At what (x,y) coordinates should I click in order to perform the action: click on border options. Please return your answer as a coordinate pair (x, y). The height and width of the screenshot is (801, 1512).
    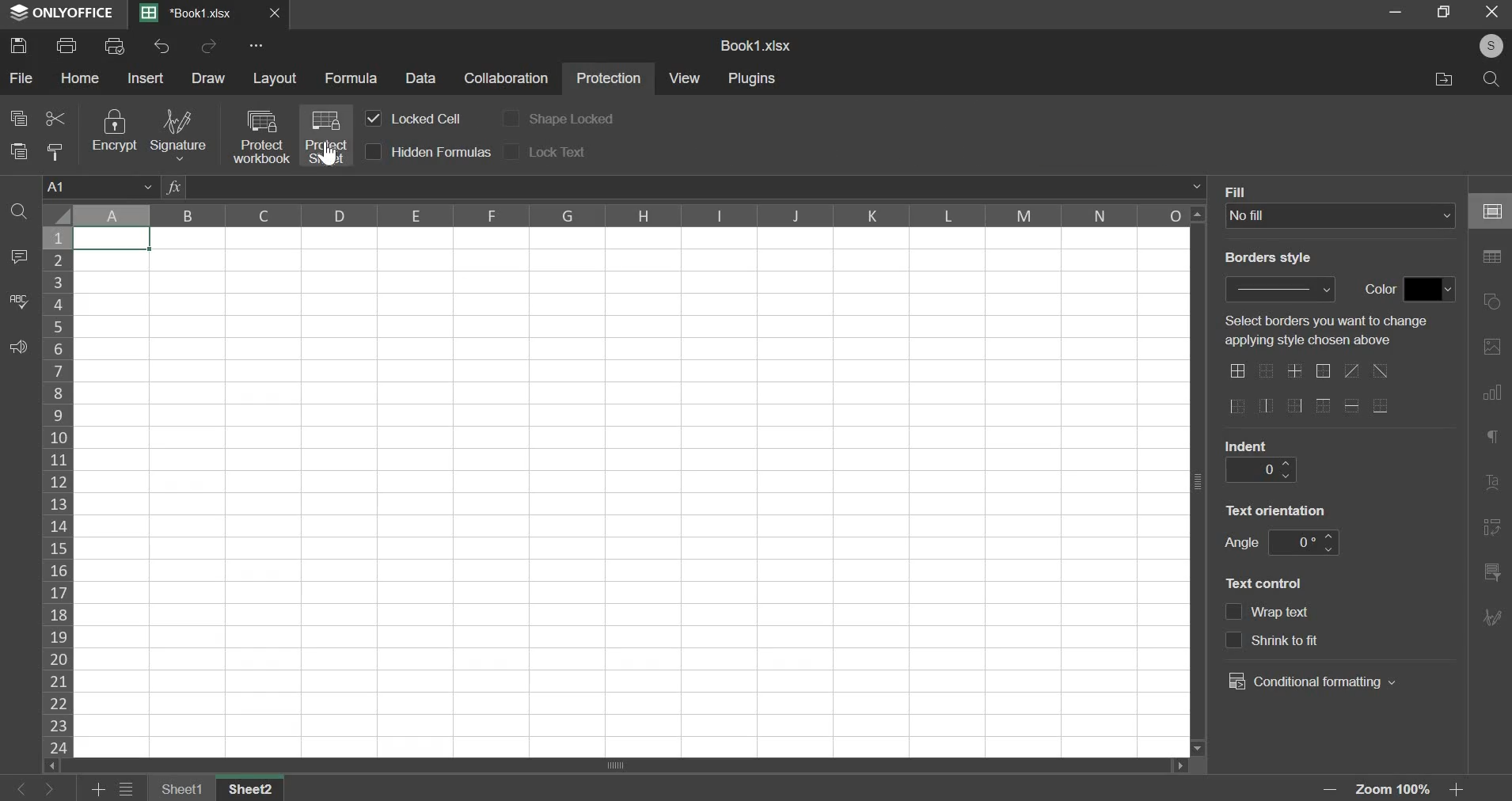
    Looking at the image, I should click on (1237, 407).